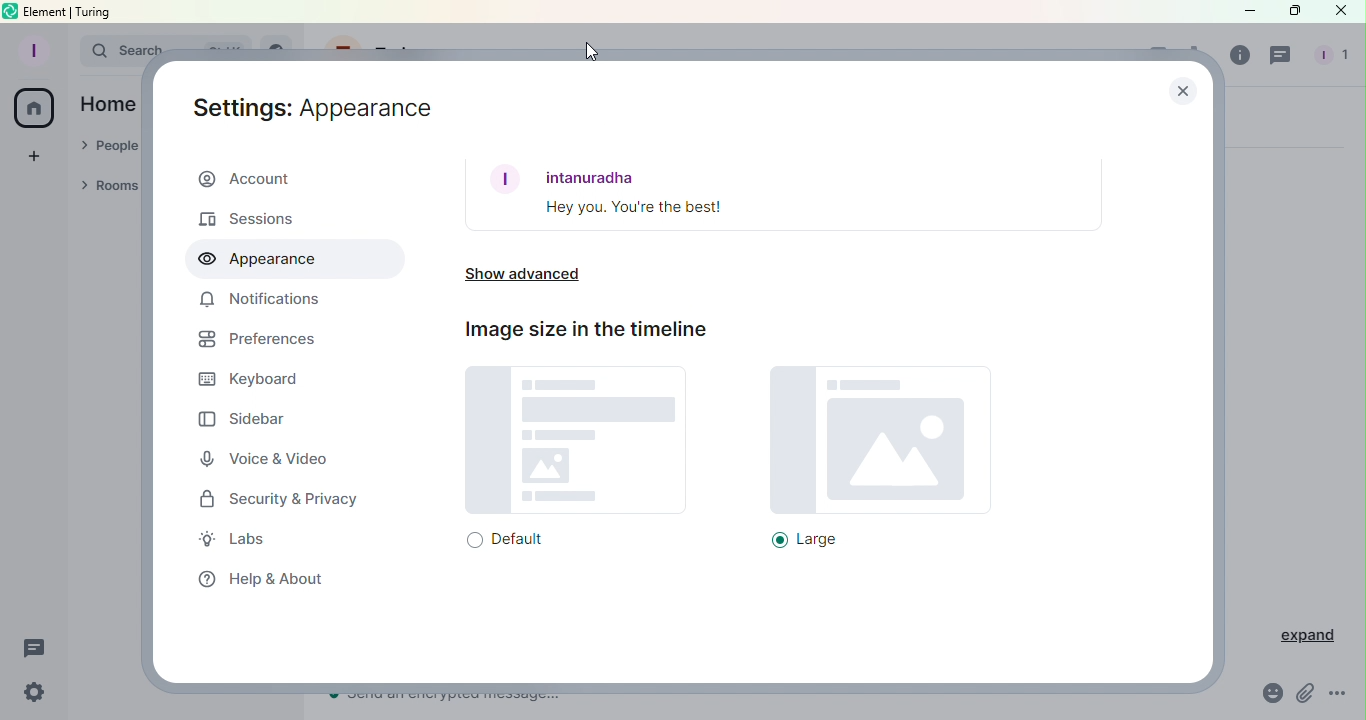 The height and width of the screenshot is (720, 1366). Describe the element at coordinates (1298, 636) in the screenshot. I see `Expand` at that location.